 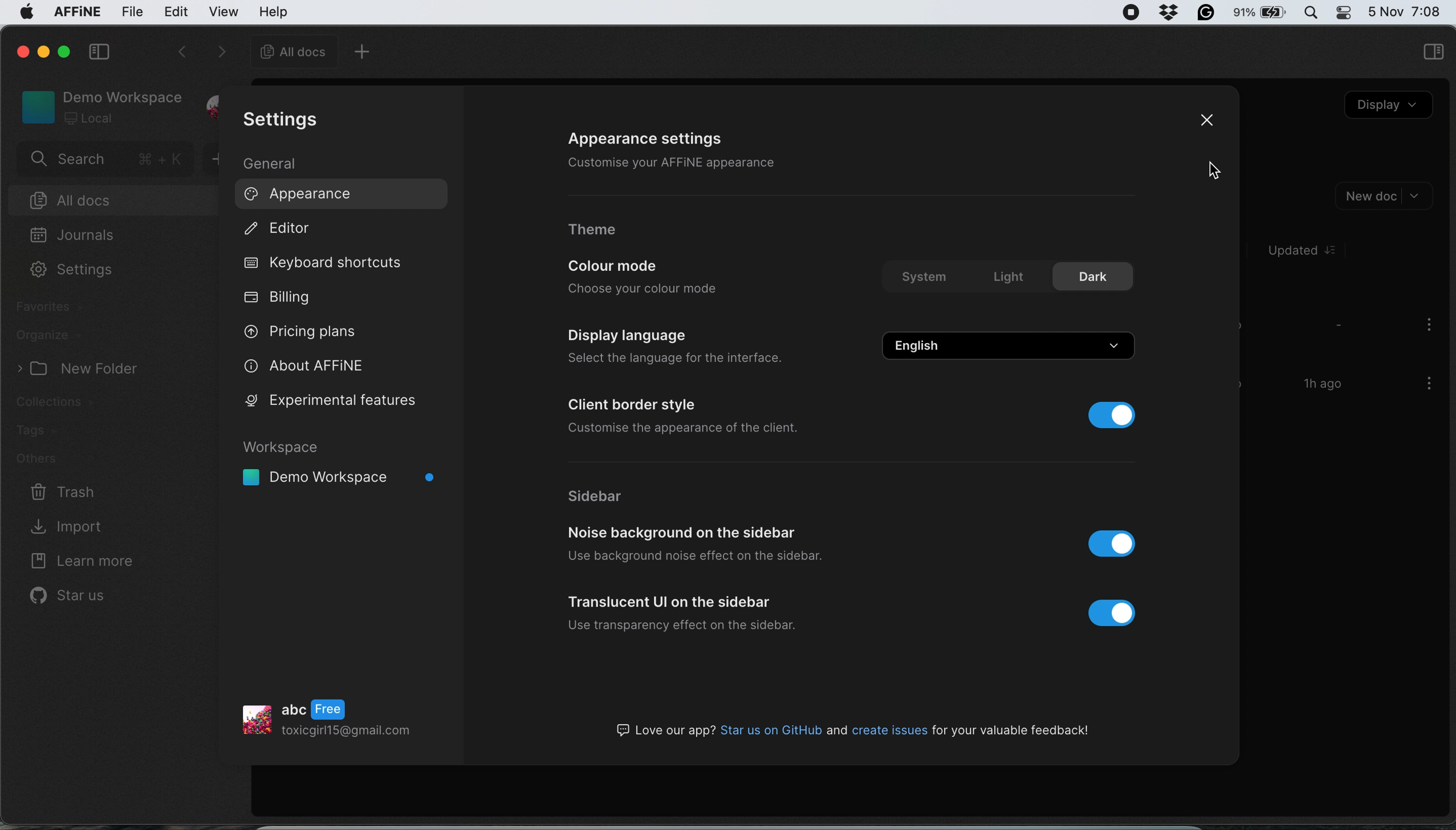 What do you see at coordinates (853, 730) in the screenshot?
I see `GJ Love our app? Star us on GitHub and create issues for your valuable feedback` at bounding box center [853, 730].